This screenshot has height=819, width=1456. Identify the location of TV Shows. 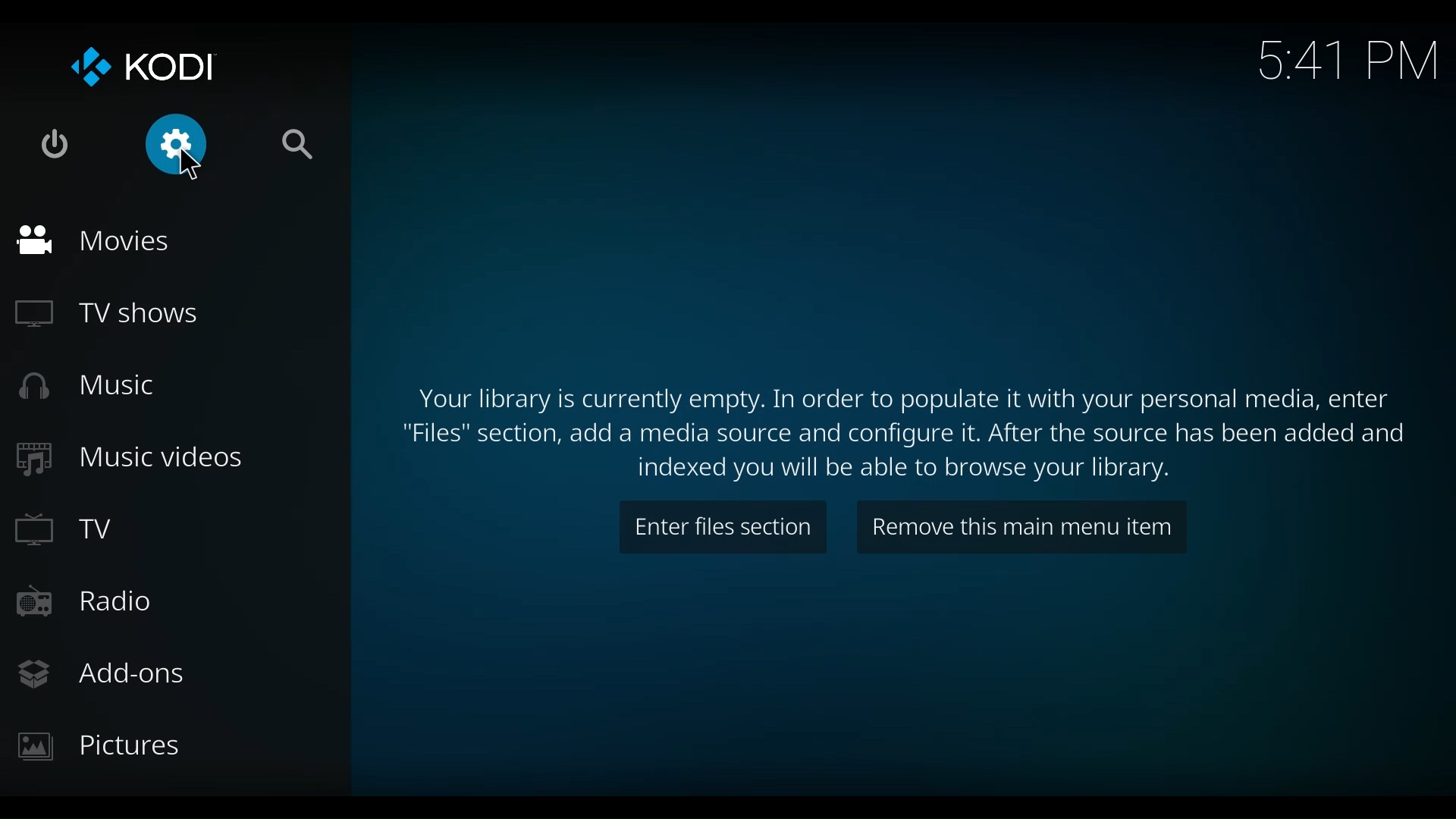
(104, 315).